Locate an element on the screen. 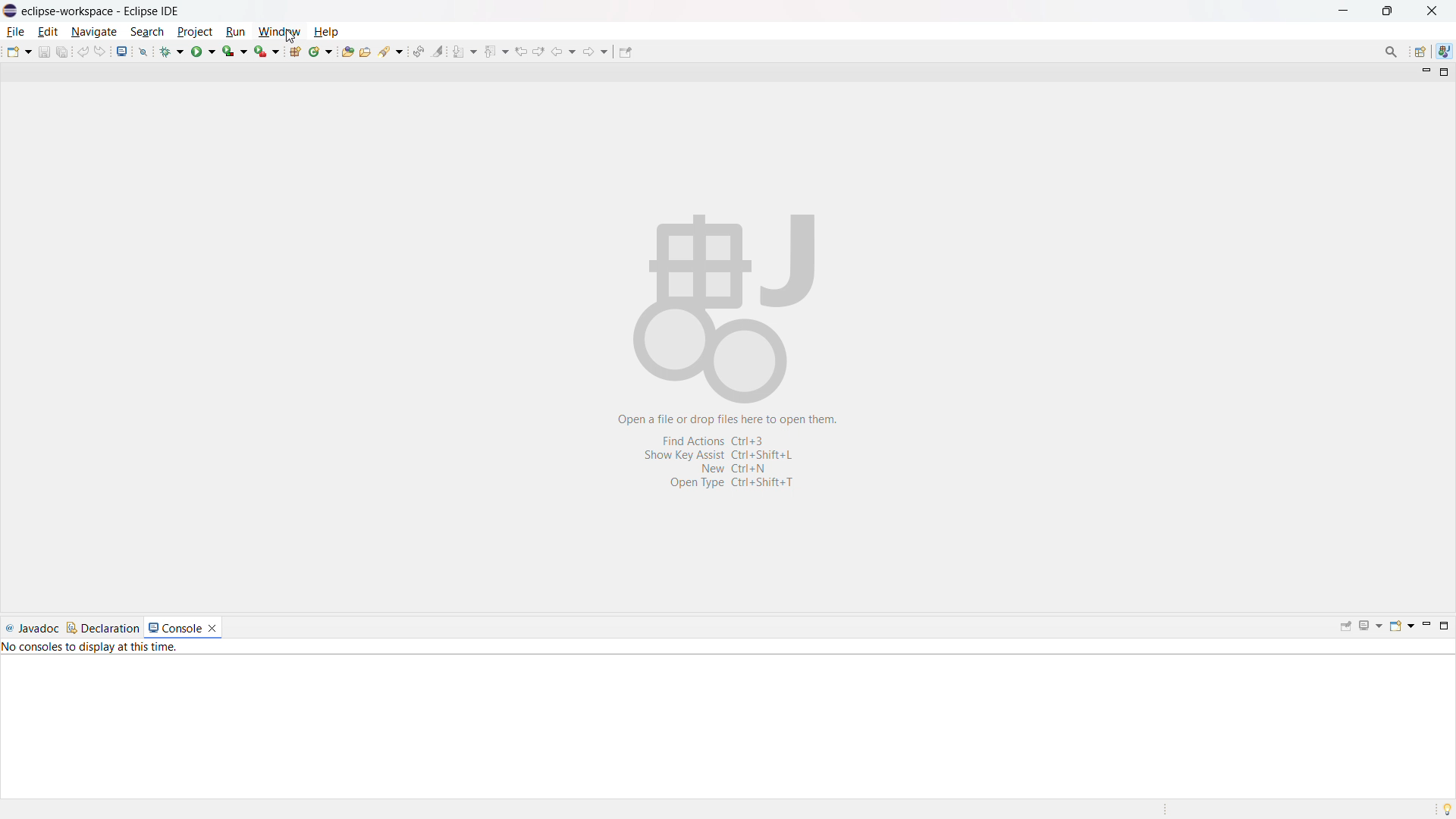 Image resolution: width=1456 pixels, height=819 pixels. display selected console  is located at coordinates (1370, 627).